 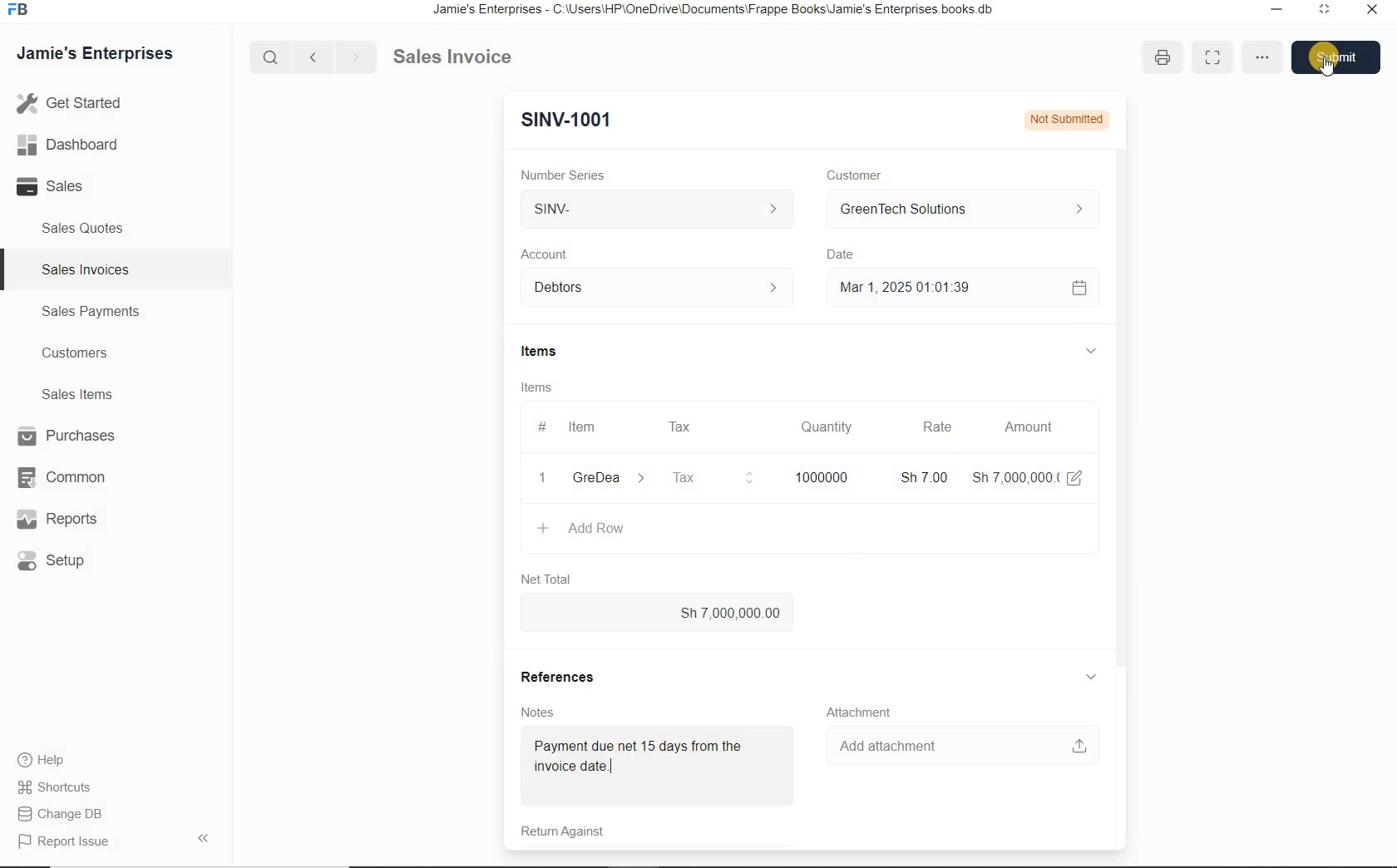 I want to click on Tax, so click(x=682, y=426).